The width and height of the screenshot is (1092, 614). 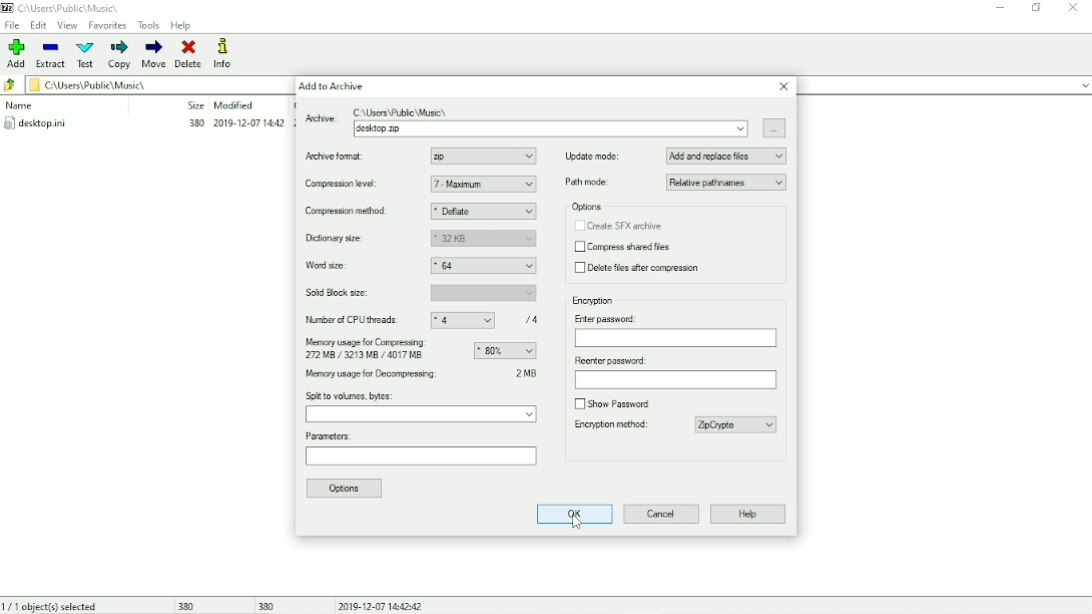 I want to click on Archive, so click(x=552, y=109).